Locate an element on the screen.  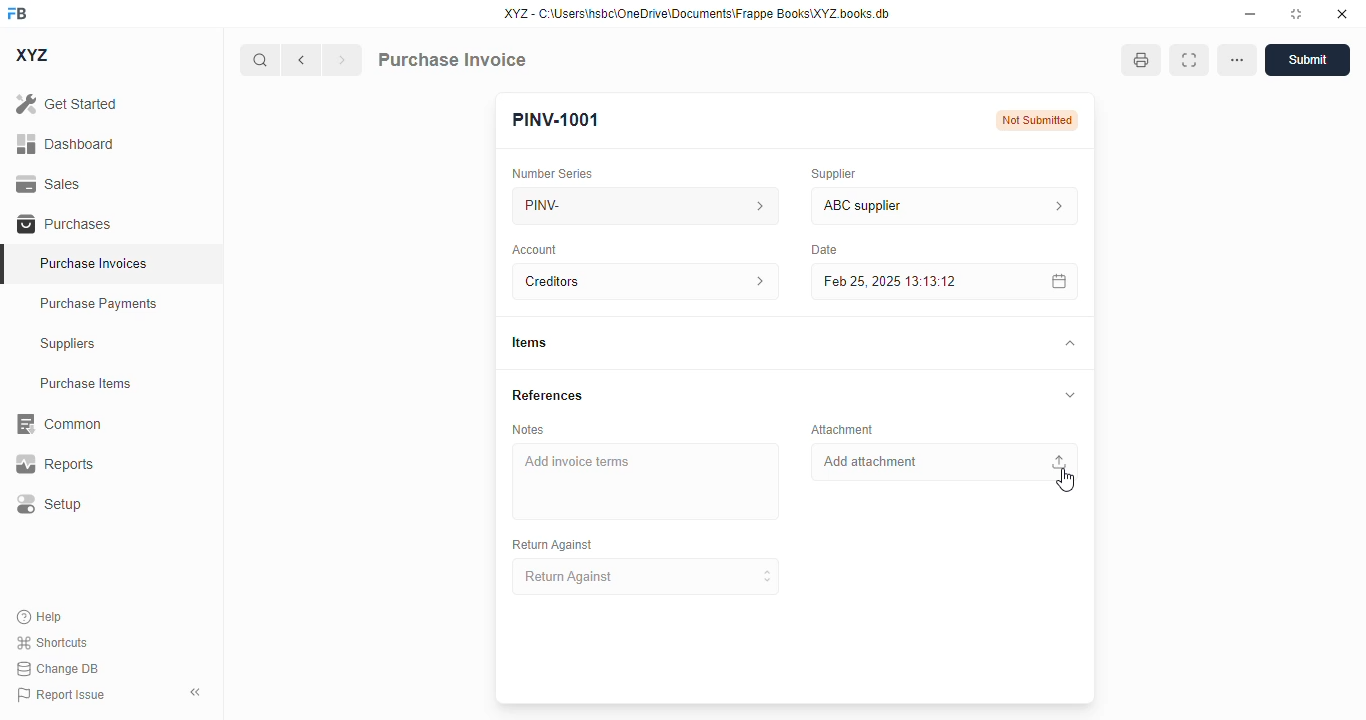
ABC supplier is located at coordinates (906, 206).